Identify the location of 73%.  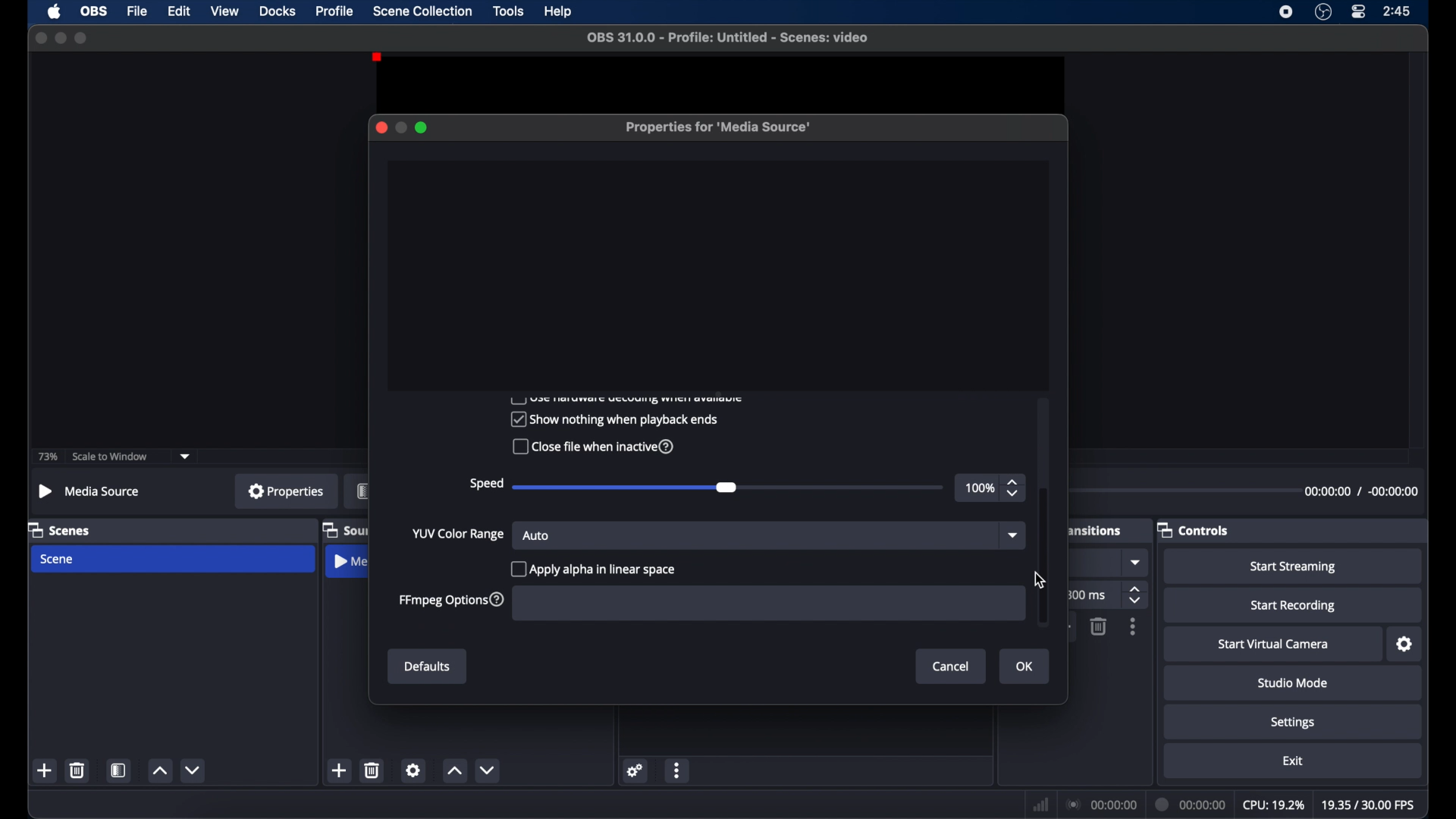
(46, 457).